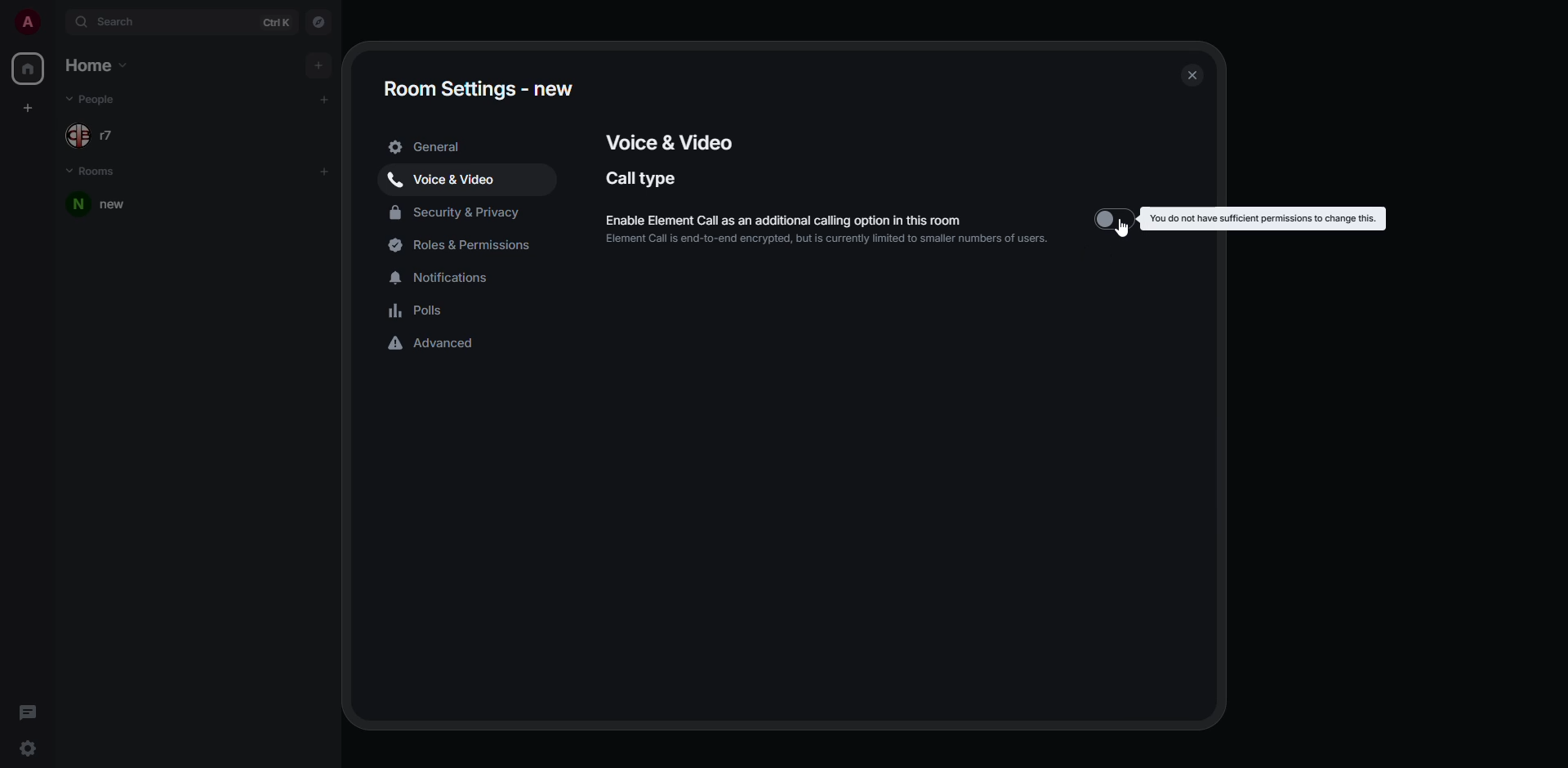 Image resolution: width=1568 pixels, height=768 pixels. What do you see at coordinates (95, 172) in the screenshot?
I see `rooms` at bounding box center [95, 172].